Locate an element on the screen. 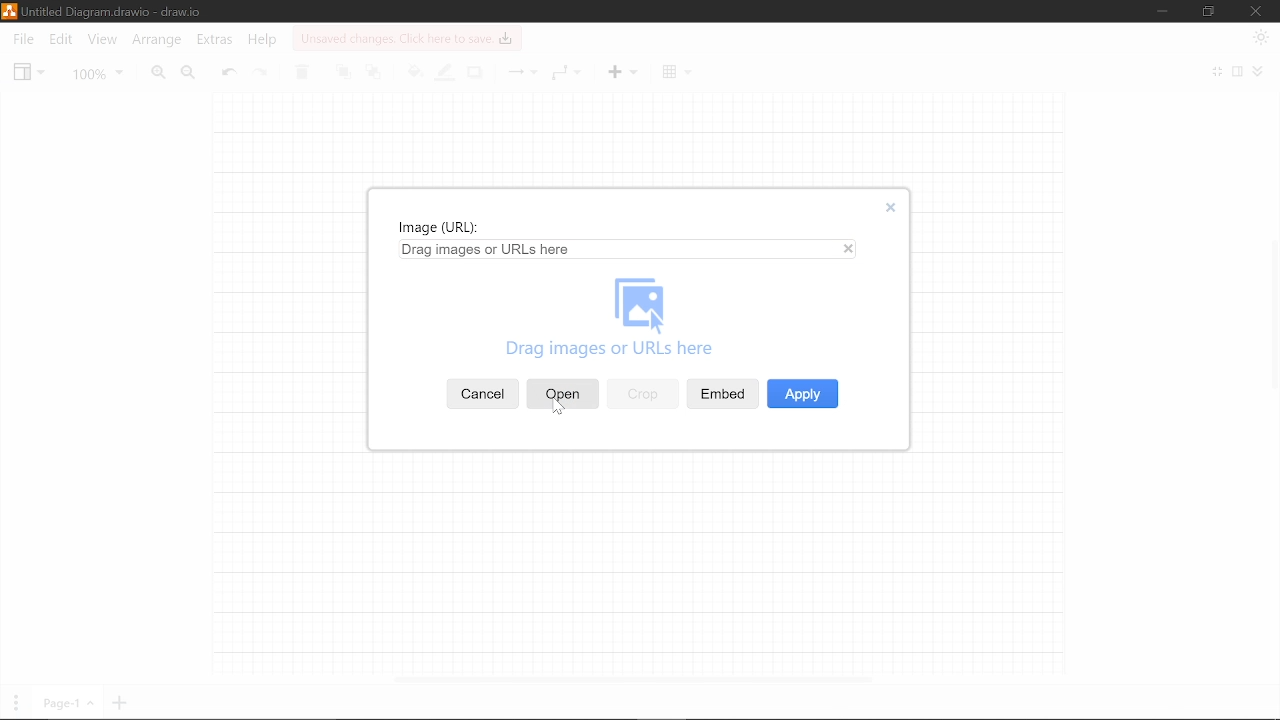 This screenshot has height=720, width=1280. Current page is located at coordinates (66, 704).